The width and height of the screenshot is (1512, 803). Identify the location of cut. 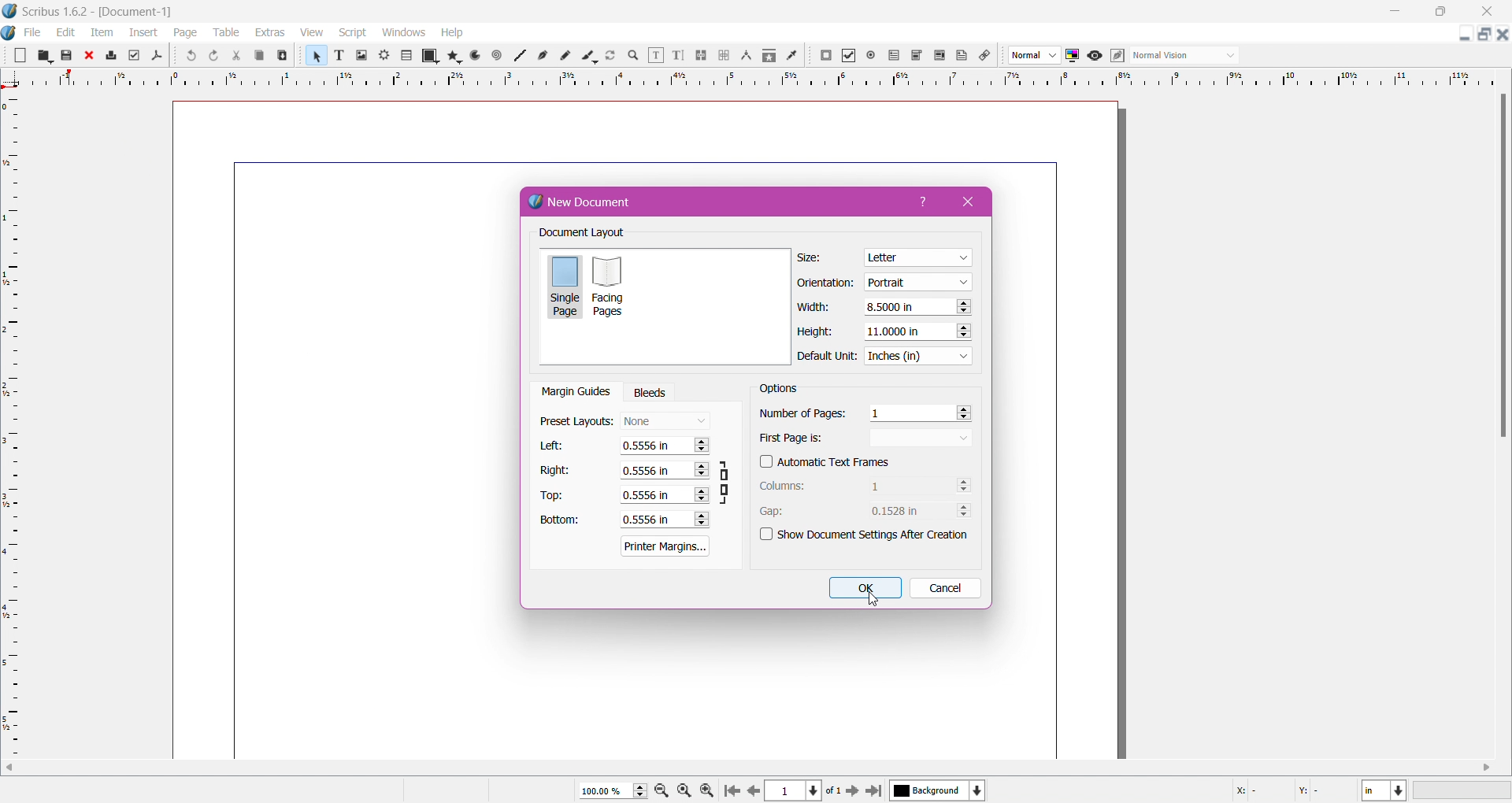
(238, 56).